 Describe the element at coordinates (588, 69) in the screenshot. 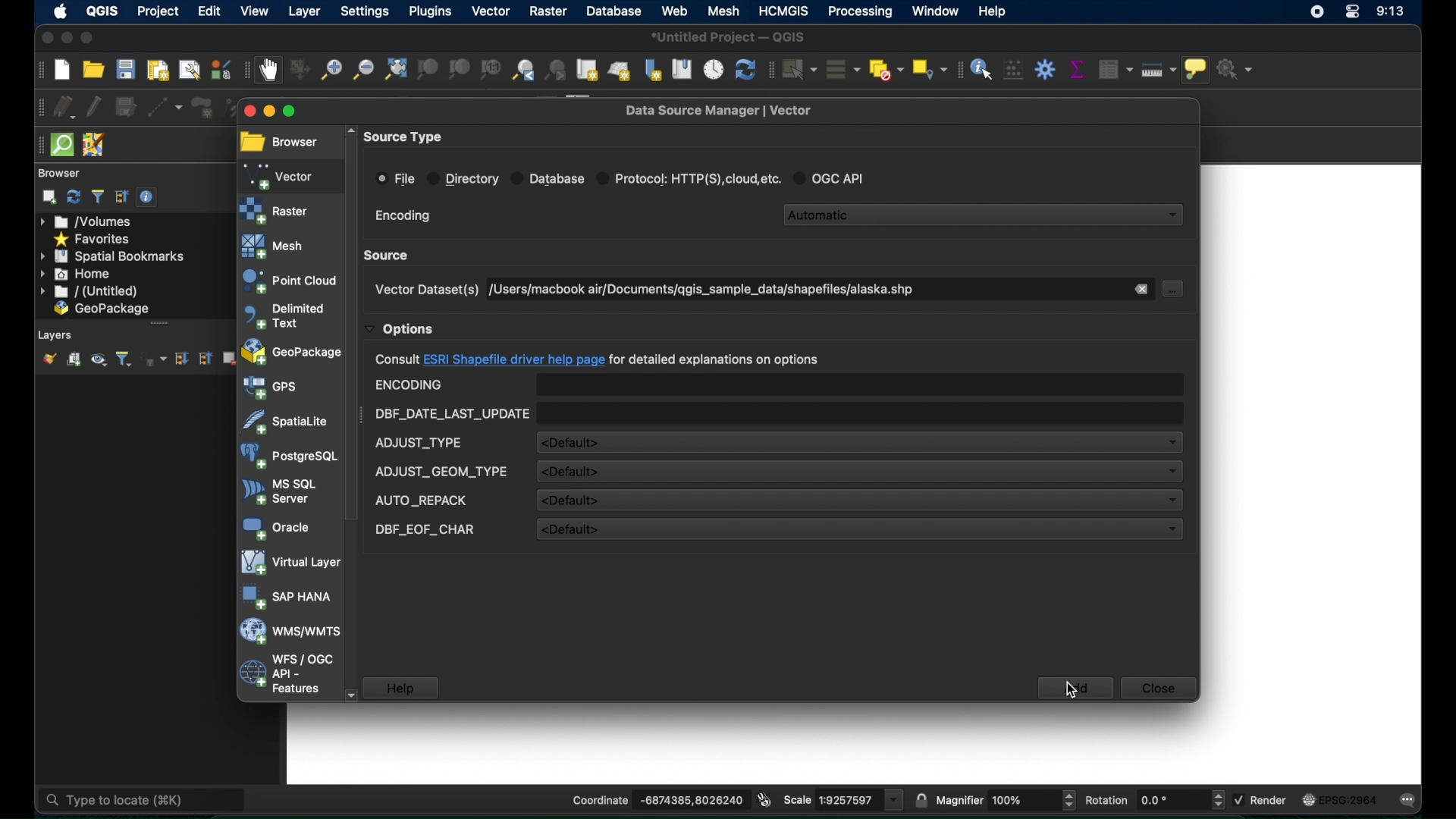

I see `new map view` at that location.